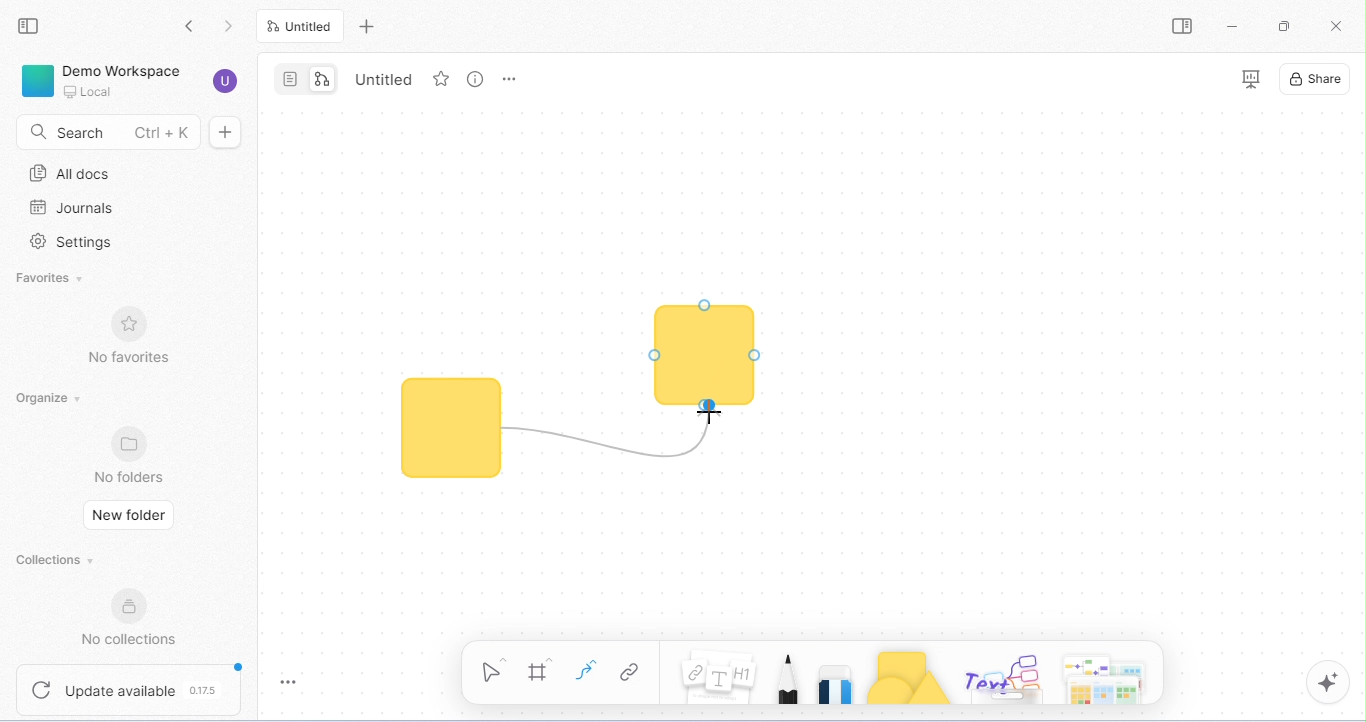 This screenshot has width=1366, height=722. Describe the element at coordinates (196, 28) in the screenshot. I see `go back` at that location.